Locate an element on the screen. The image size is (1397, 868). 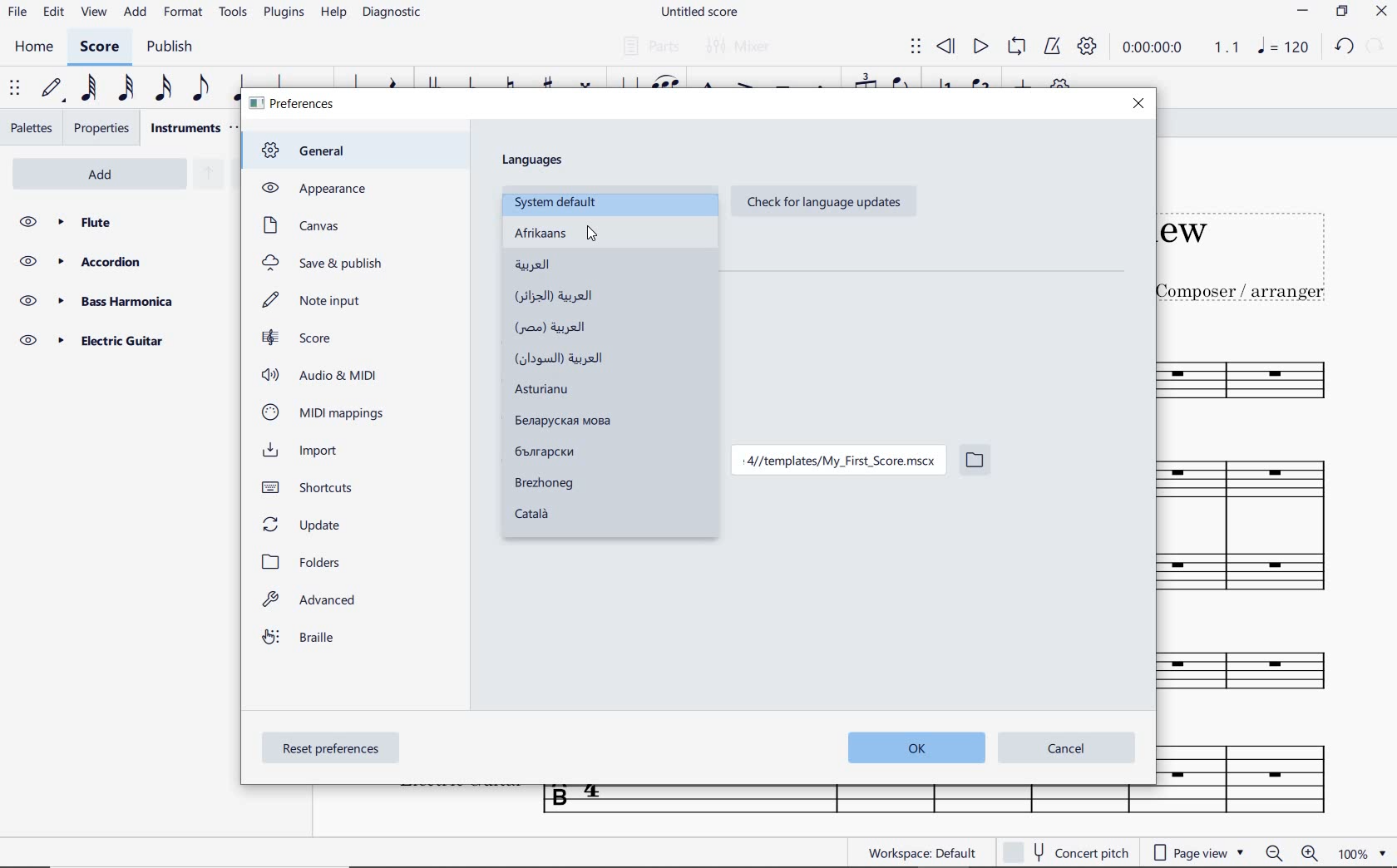
zoom in or zoom out is located at coordinates (1289, 852).